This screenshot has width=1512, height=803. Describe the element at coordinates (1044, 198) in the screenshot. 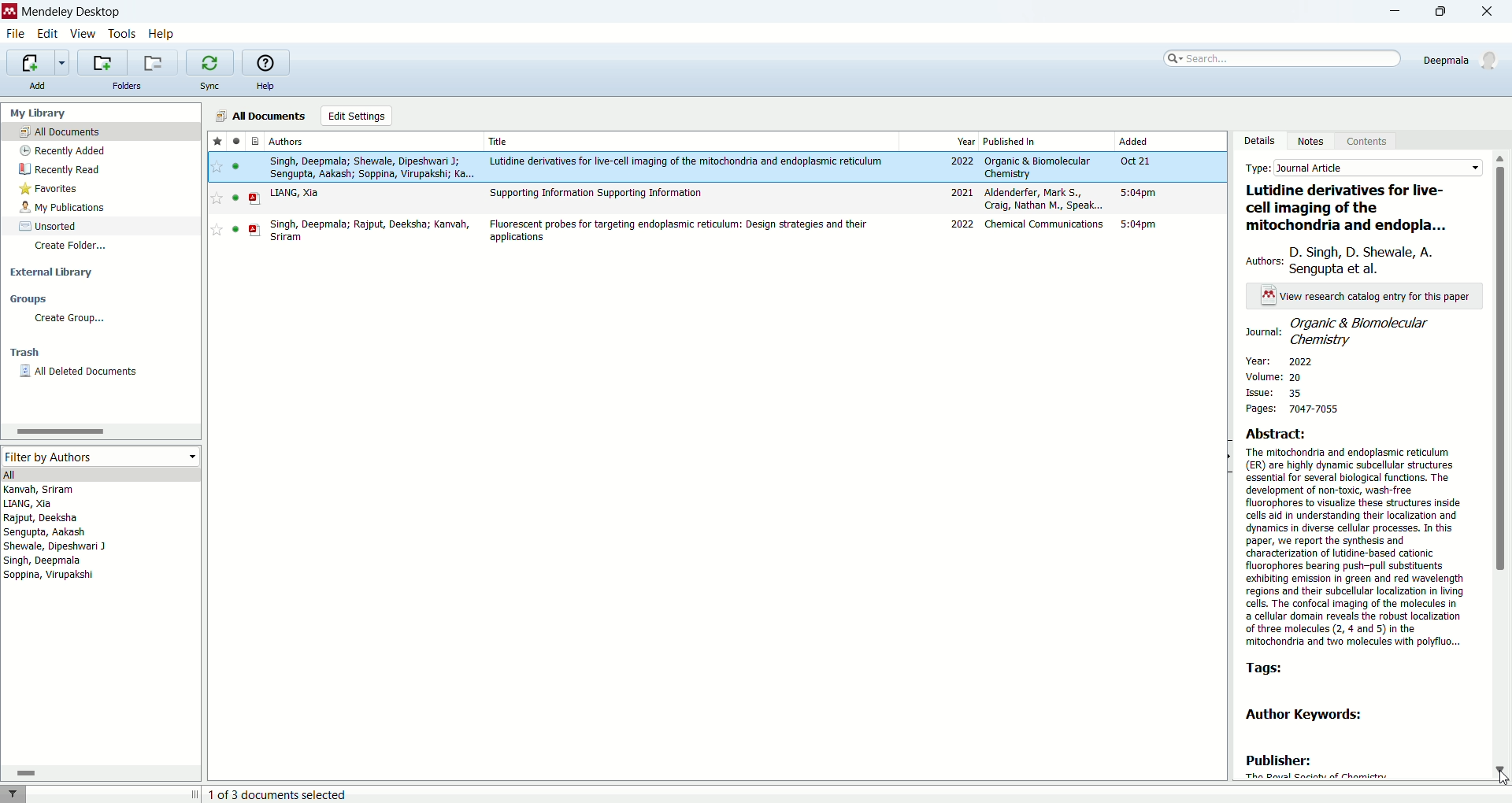

I see `aldenderfer, Mark S., Craig Nathan M., Speak...` at that location.